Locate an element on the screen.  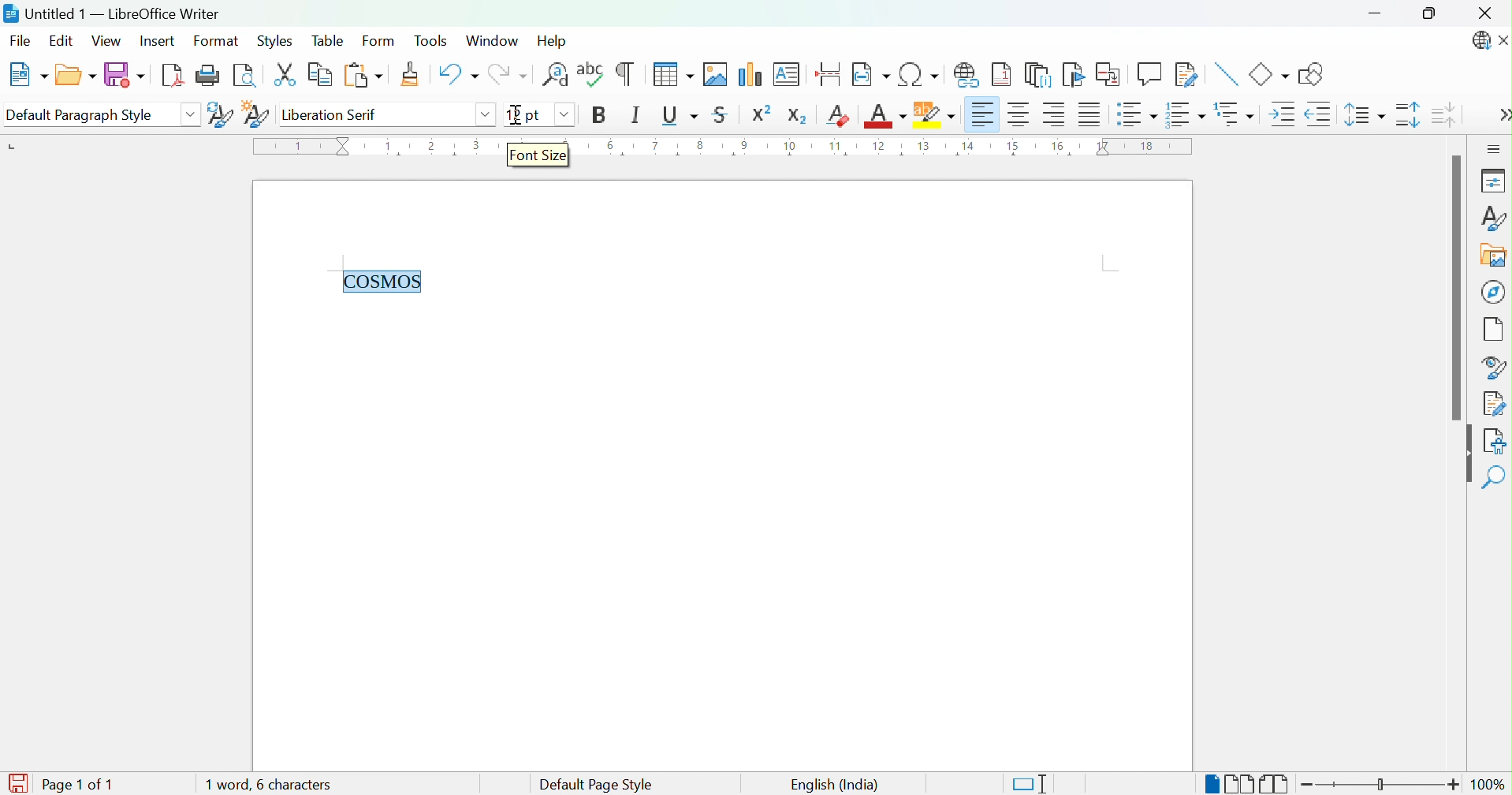
Gallery is located at coordinates (1492, 257).